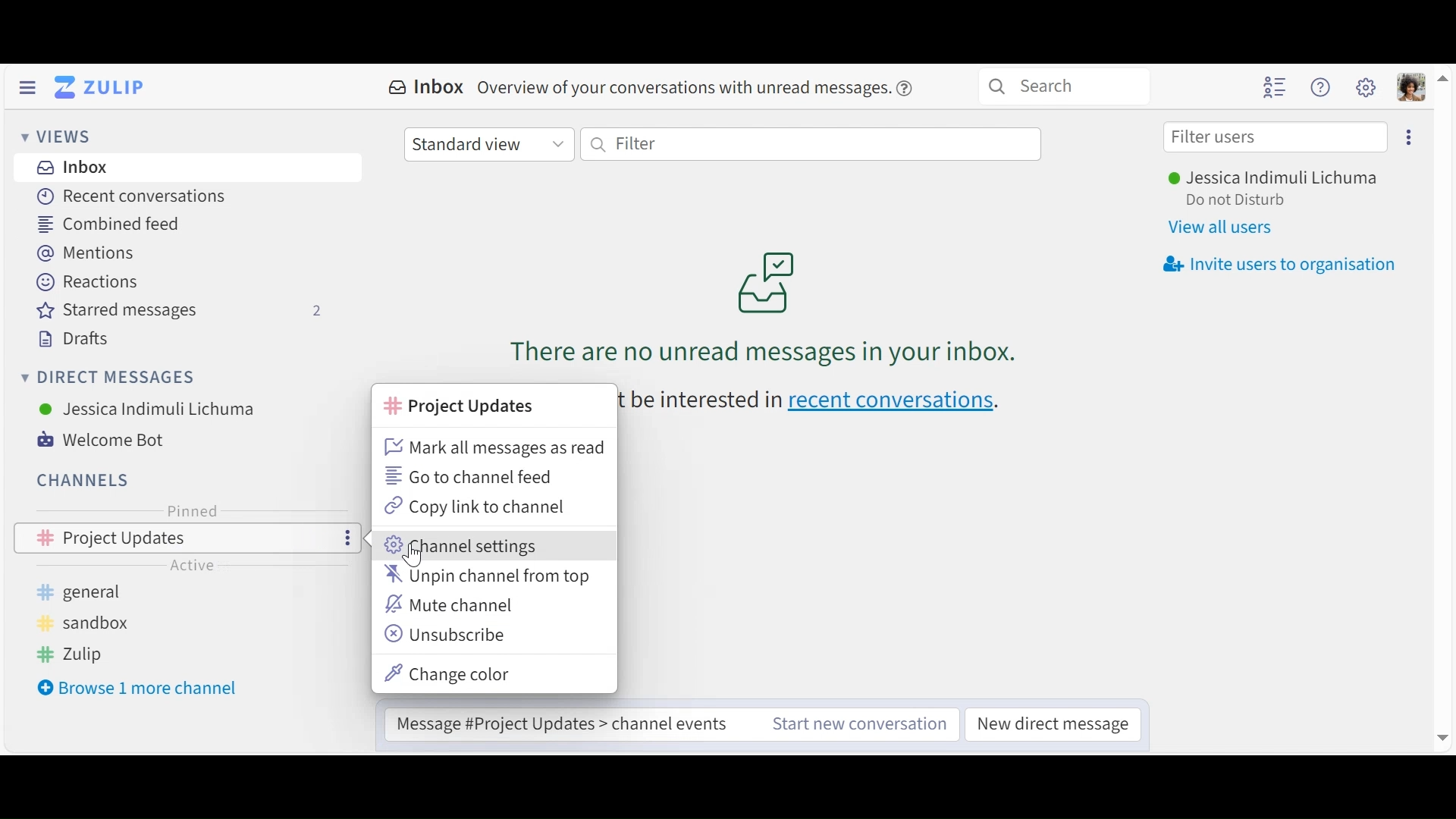 This screenshot has height=819, width=1456. What do you see at coordinates (116, 224) in the screenshot?
I see `Combined feed` at bounding box center [116, 224].